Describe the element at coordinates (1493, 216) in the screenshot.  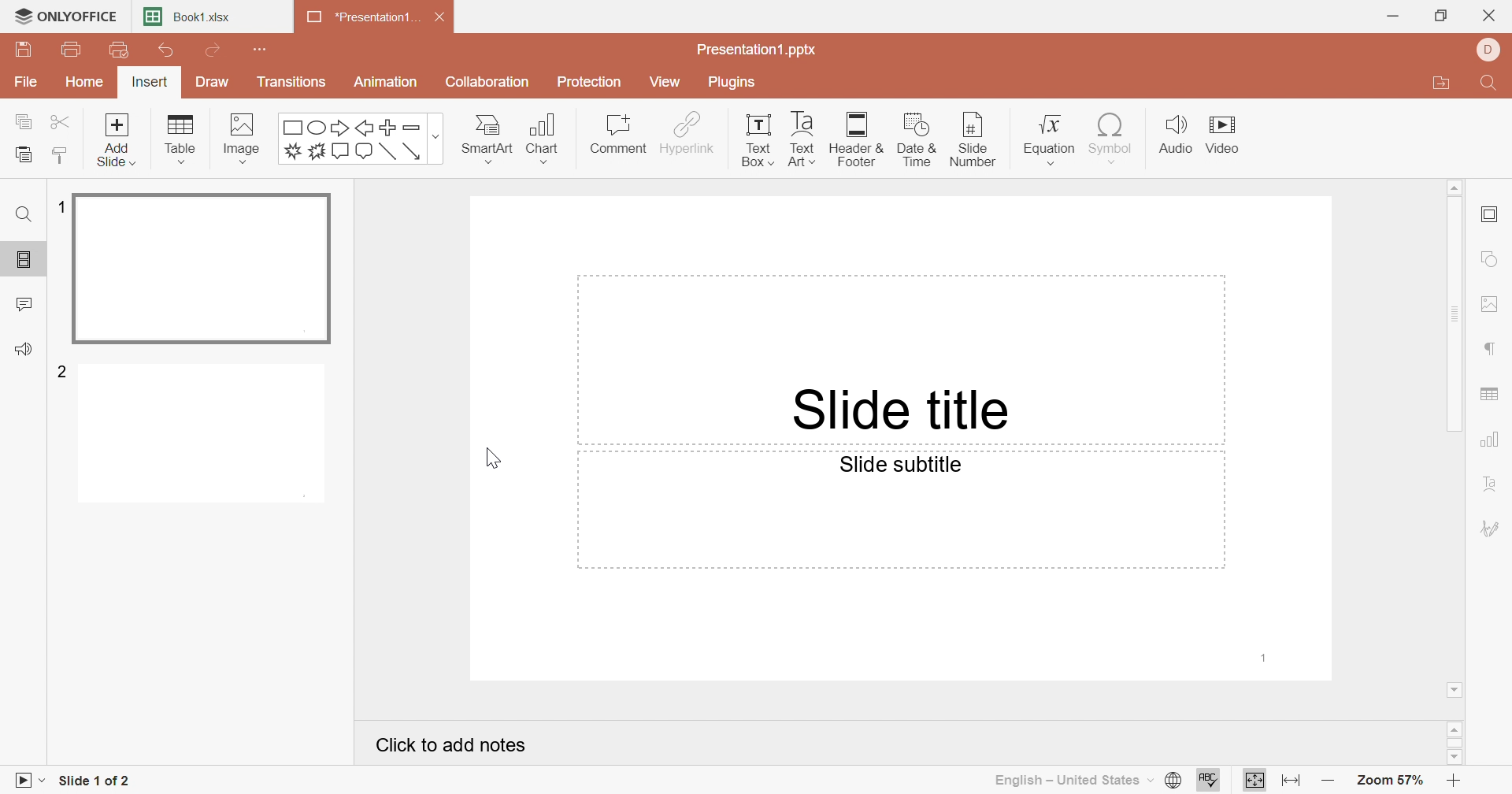
I see `Slide settings` at that location.